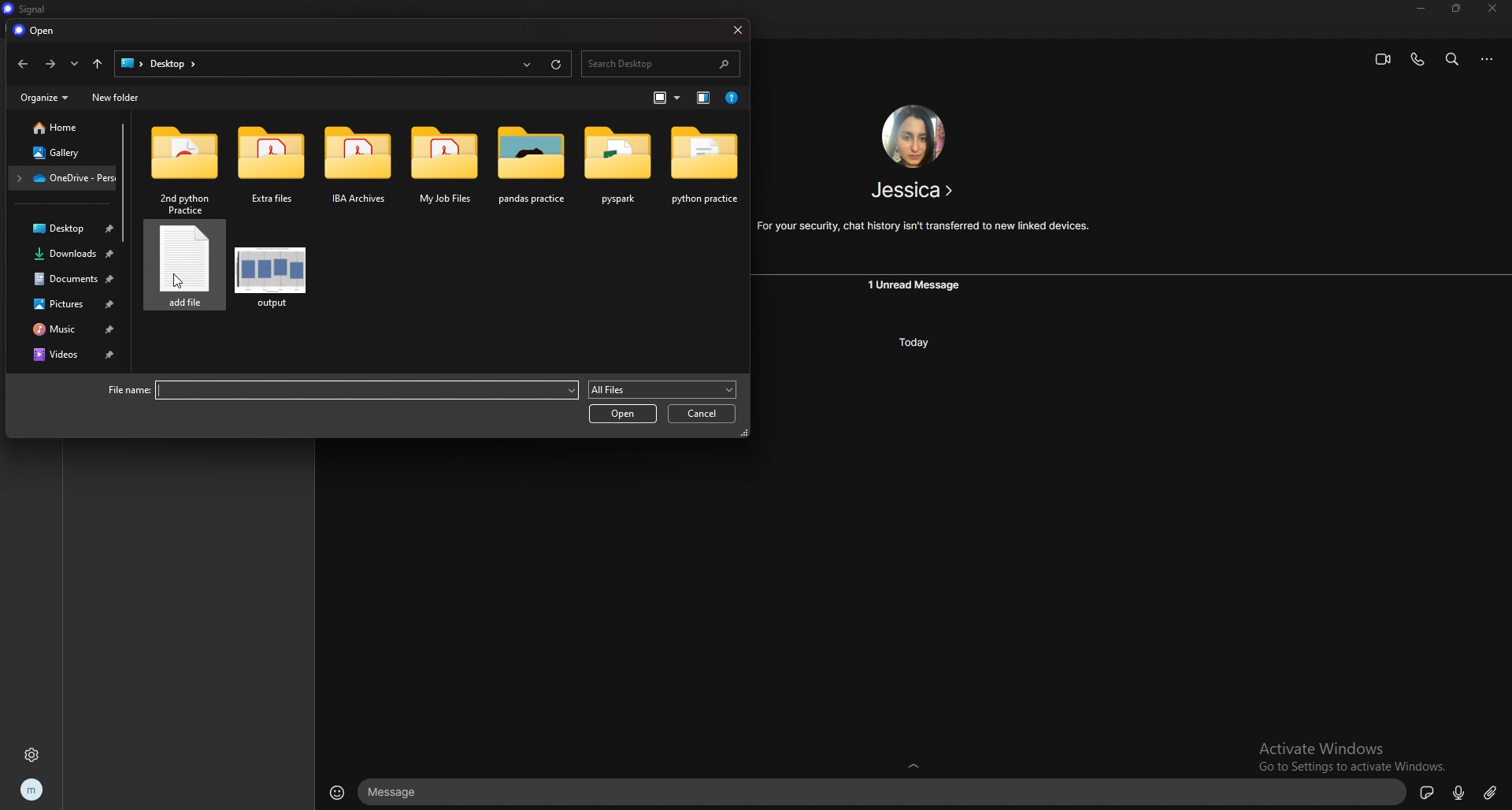 The width and height of the screenshot is (1512, 810). I want to click on text box, so click(884, 792).